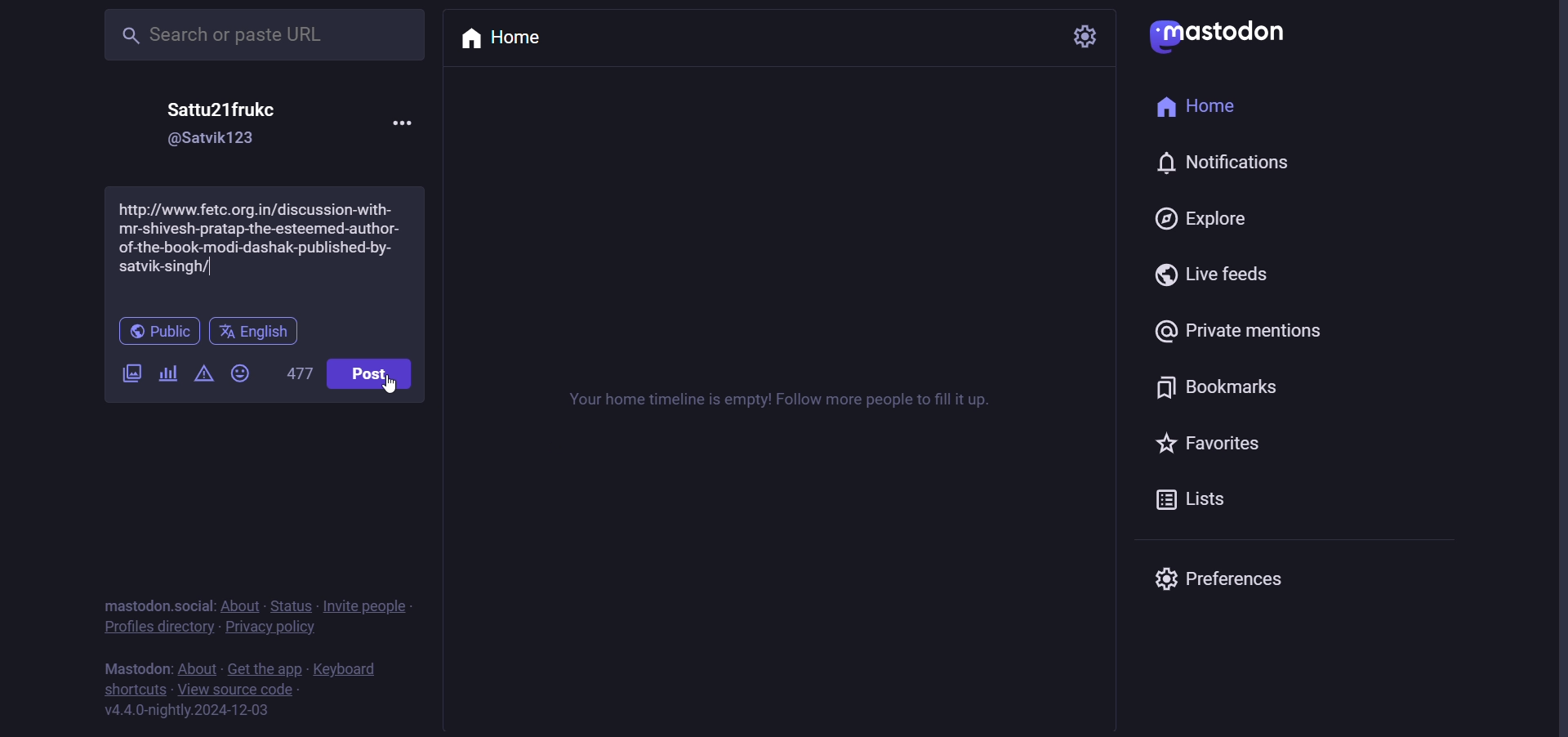  I want to click on profiles, so click(159, 628).